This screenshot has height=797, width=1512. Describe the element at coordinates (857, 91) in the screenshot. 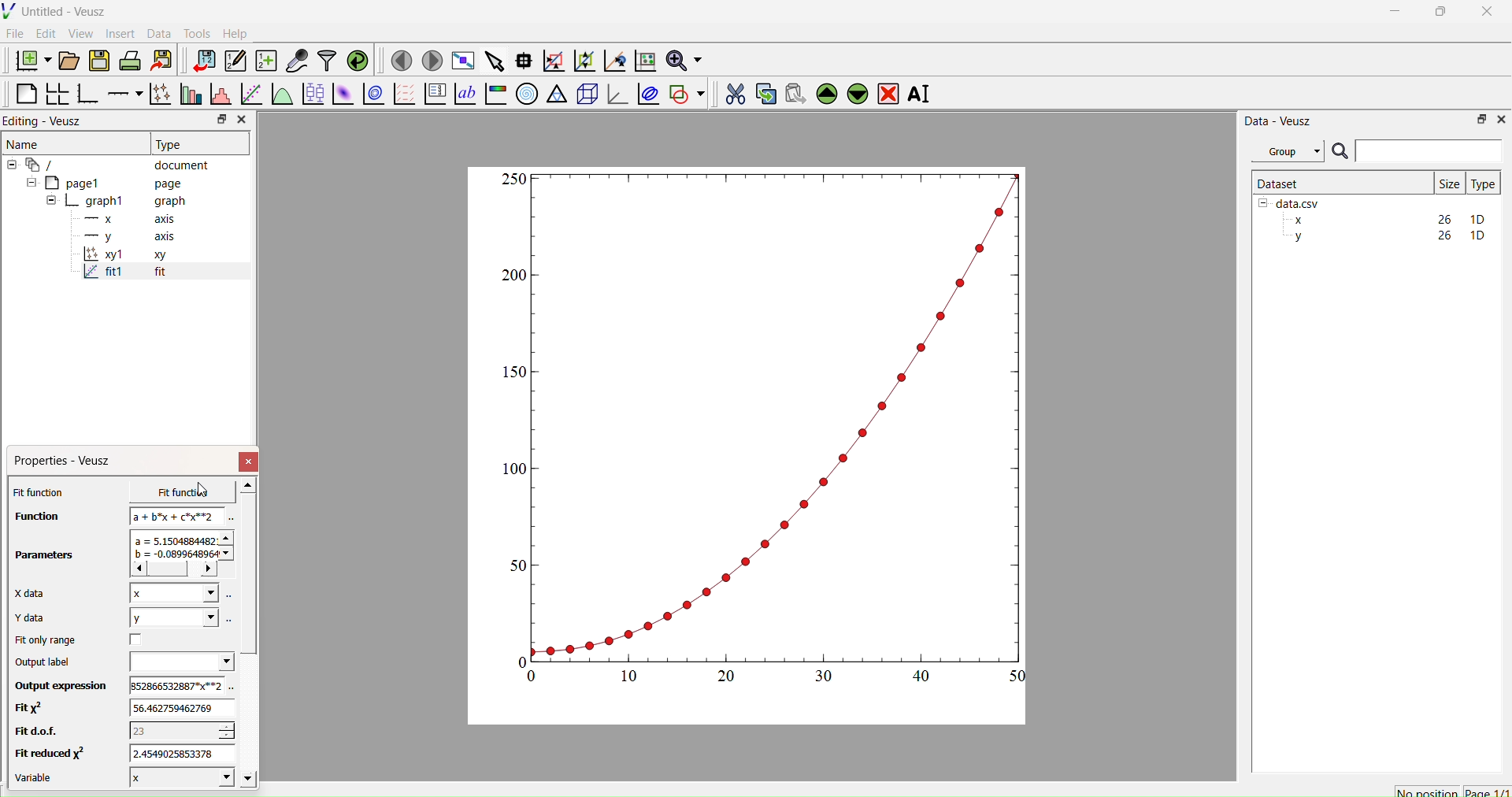

I see `Down` at that location.